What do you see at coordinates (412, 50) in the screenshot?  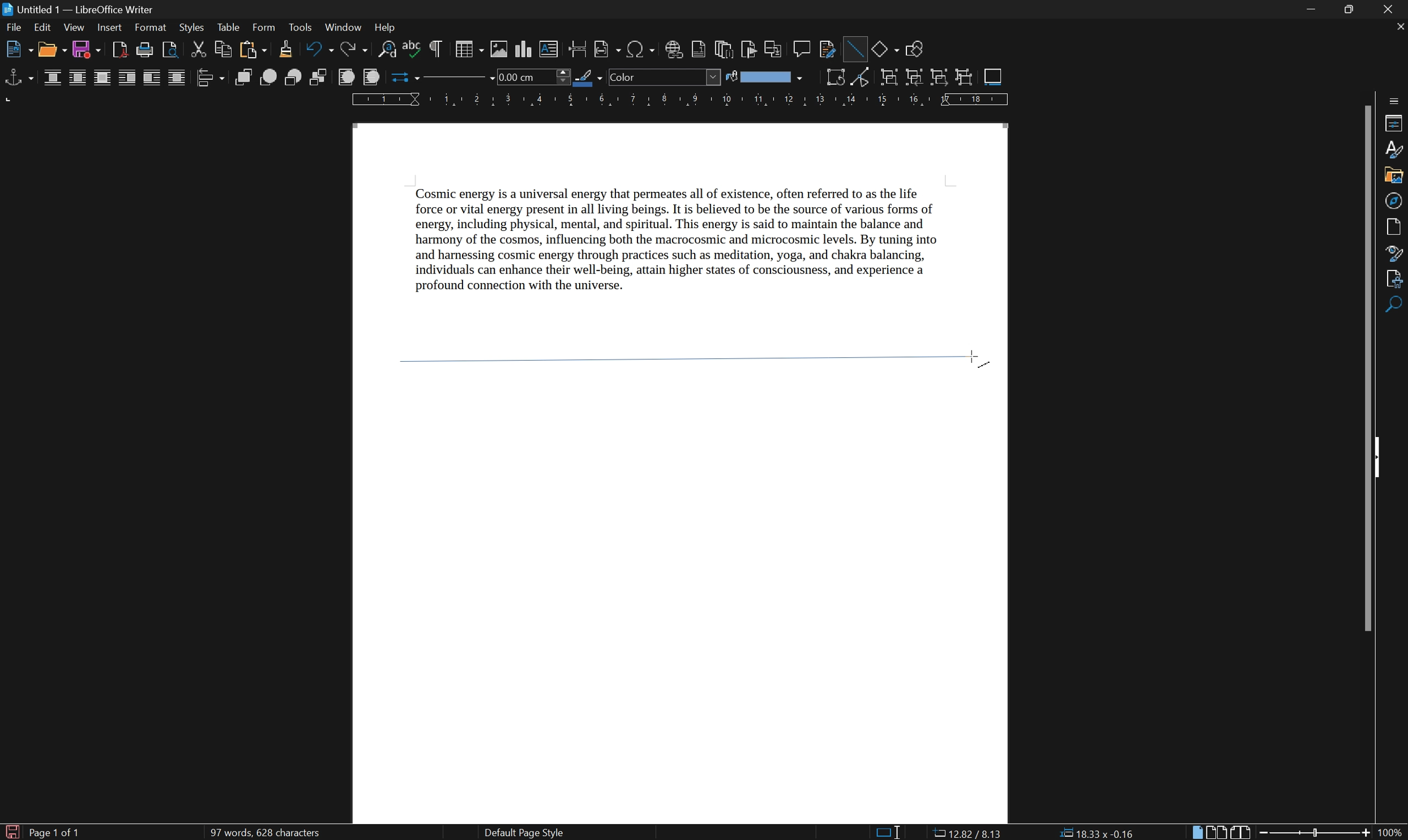 I see `spell checking` at bounding box center [412, 50].